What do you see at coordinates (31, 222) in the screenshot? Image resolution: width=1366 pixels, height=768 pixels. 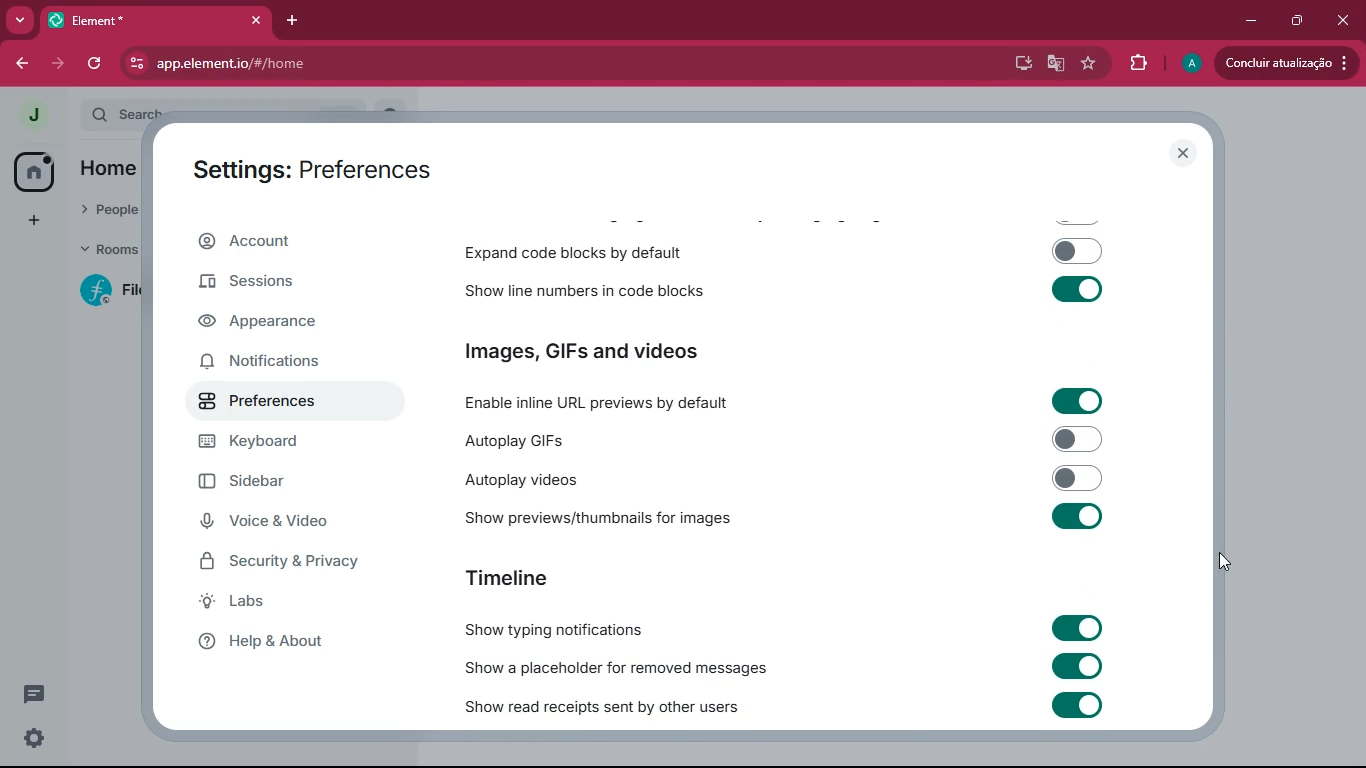 I see `add` at bounding box center [31, 222].